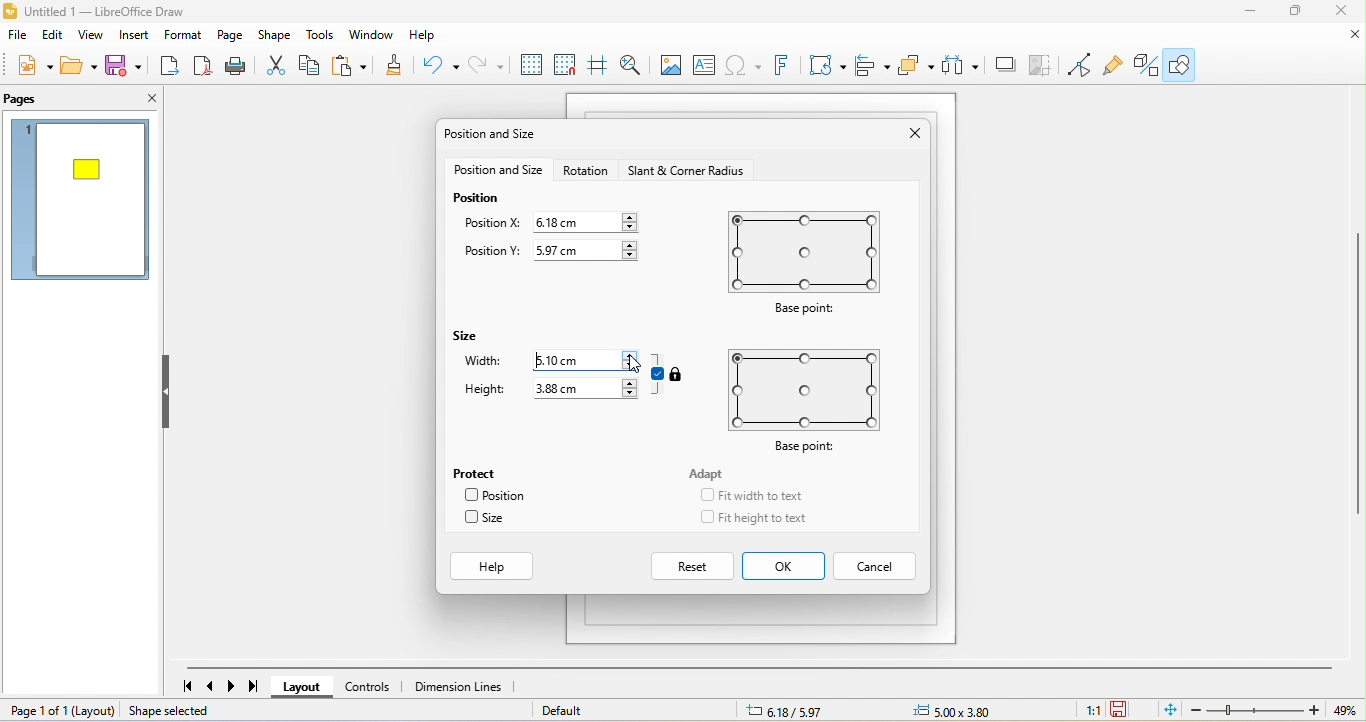 Image resolution: width=1366 pixels, height=722 pixels. I want to click on format, so click(187, 37).